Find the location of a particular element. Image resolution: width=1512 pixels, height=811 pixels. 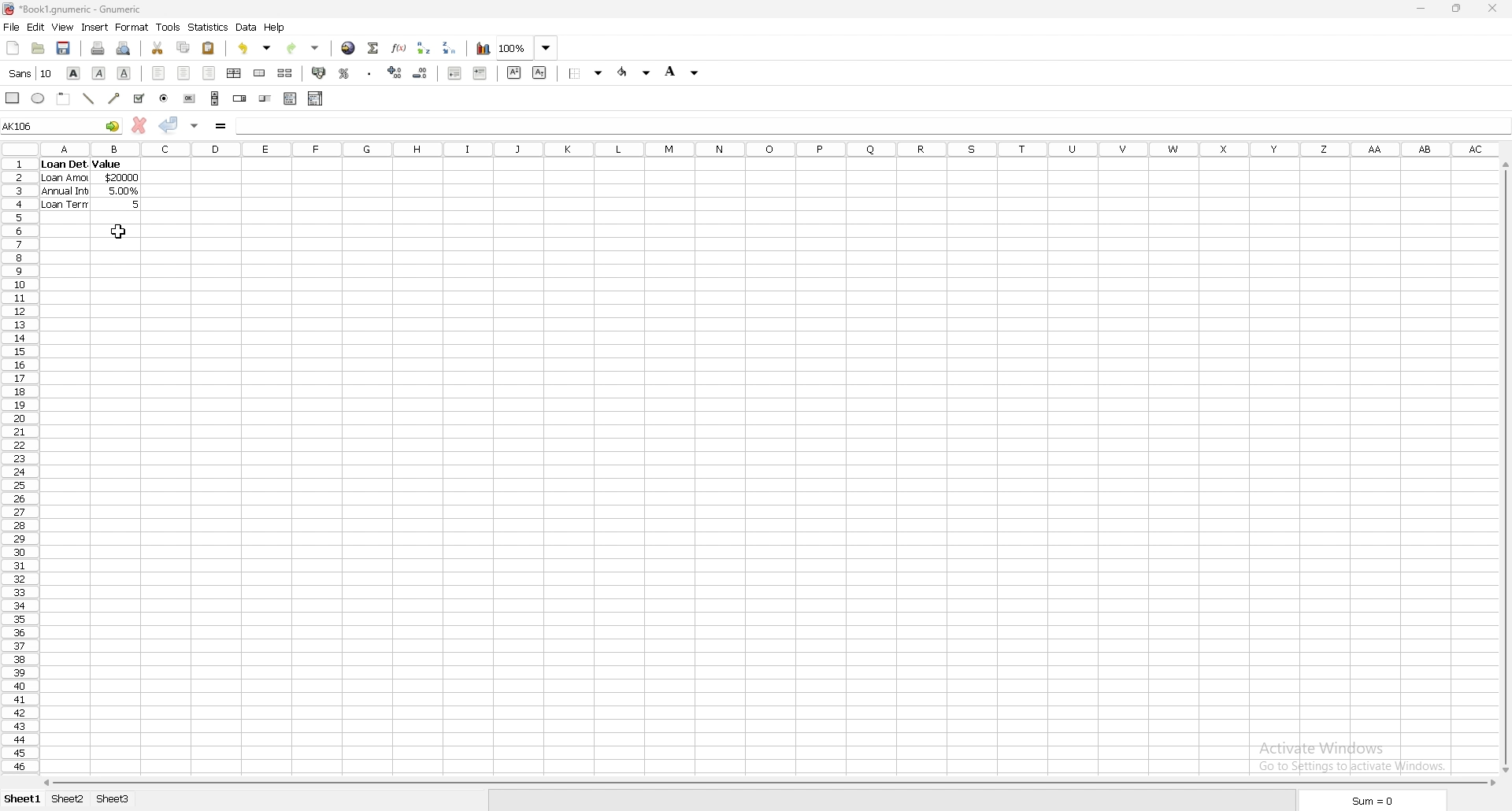

resize is located at coordinates (1458, 9).